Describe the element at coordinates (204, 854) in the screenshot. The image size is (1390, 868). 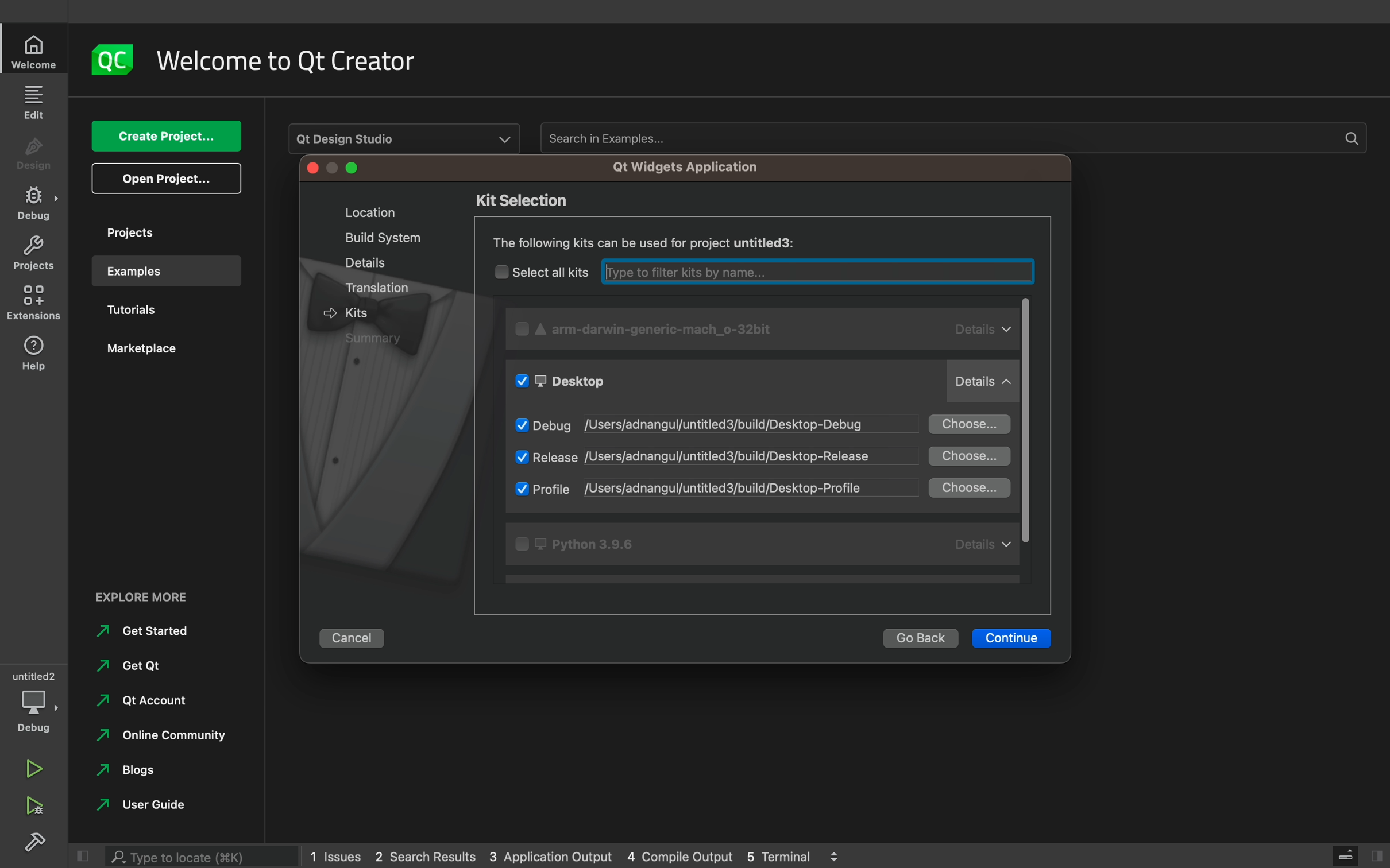
I see `serachbar` at that location.